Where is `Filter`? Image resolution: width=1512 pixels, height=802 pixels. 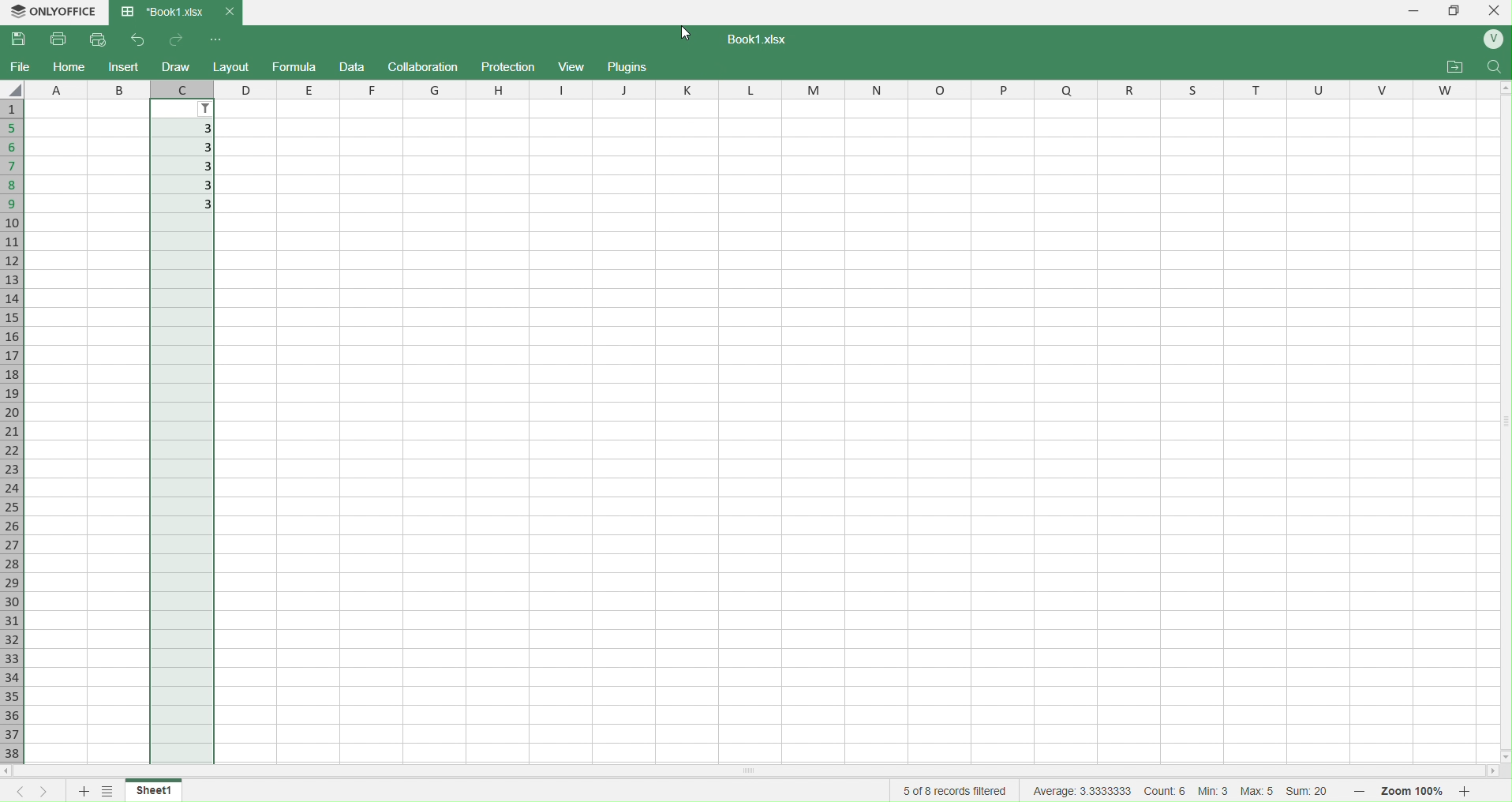
Filter is located at coordinates (204, 110).